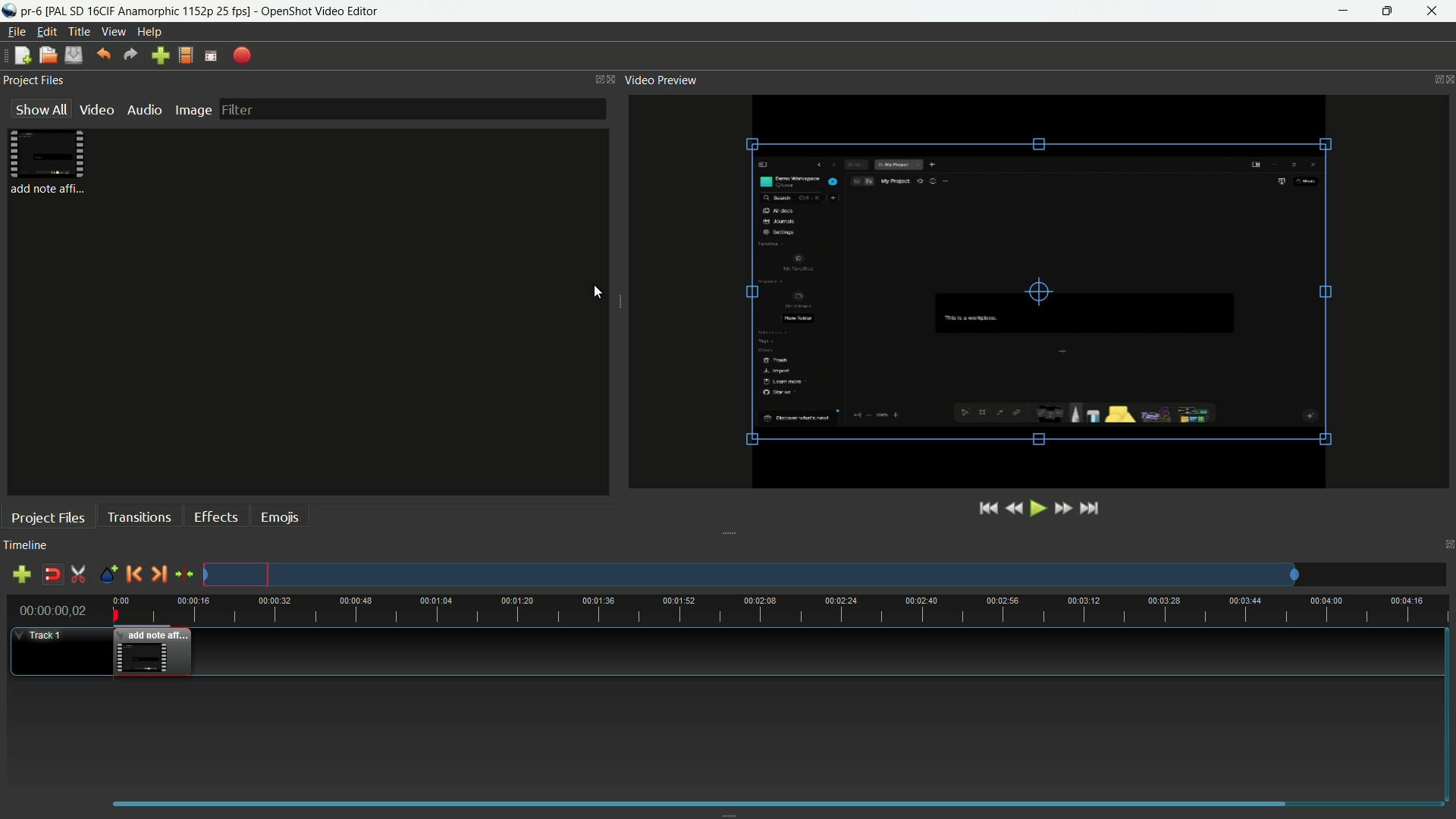 The width and height of the screenshot is (1456, 819). I want to click on video, so click(96, 109).